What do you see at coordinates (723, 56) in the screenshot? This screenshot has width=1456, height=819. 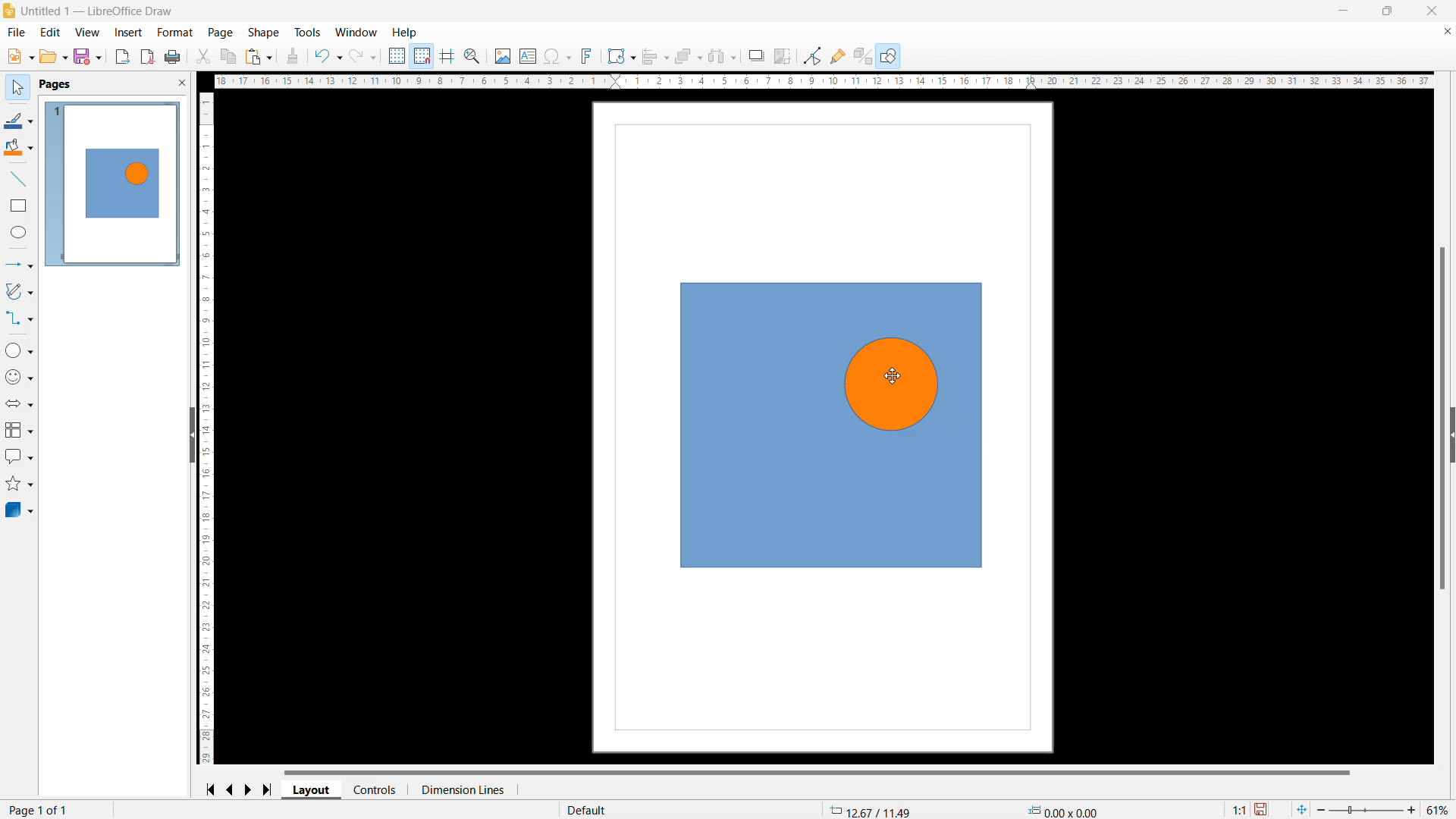 I see `select at least three objects to distribute` at bounding box center [723, 56].